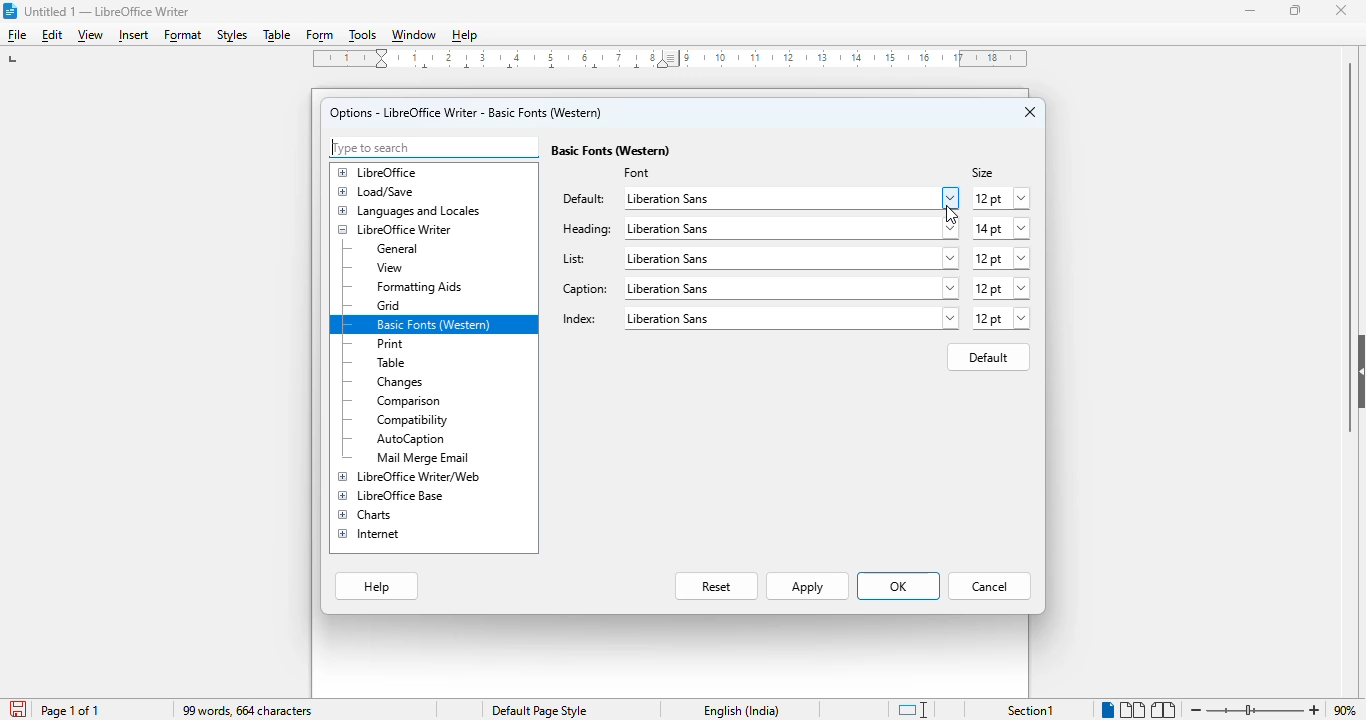  I want to click on insert, so click(134, 37).